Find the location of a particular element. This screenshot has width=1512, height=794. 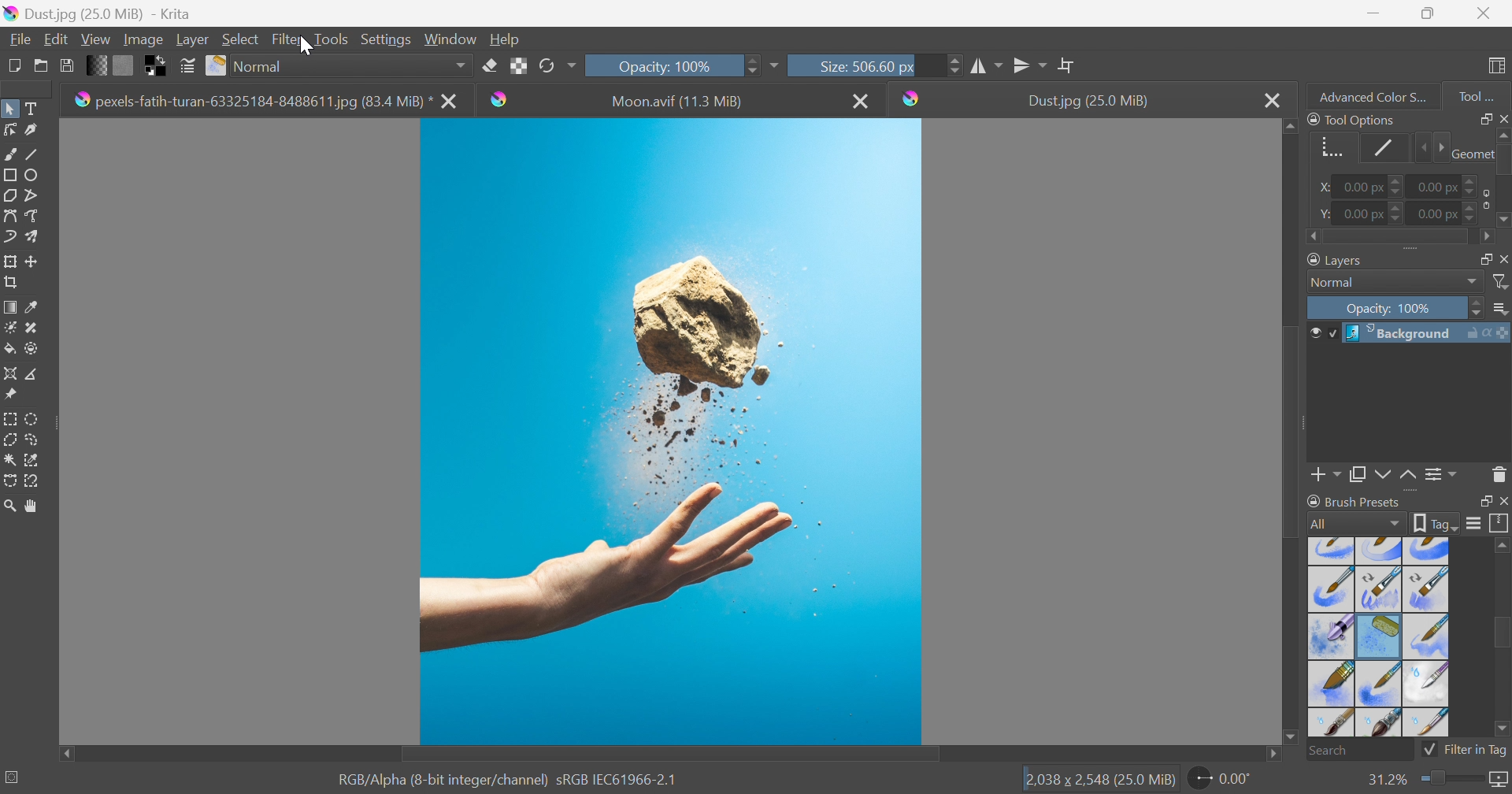

0.00° is located at coordinates (1221, 781).